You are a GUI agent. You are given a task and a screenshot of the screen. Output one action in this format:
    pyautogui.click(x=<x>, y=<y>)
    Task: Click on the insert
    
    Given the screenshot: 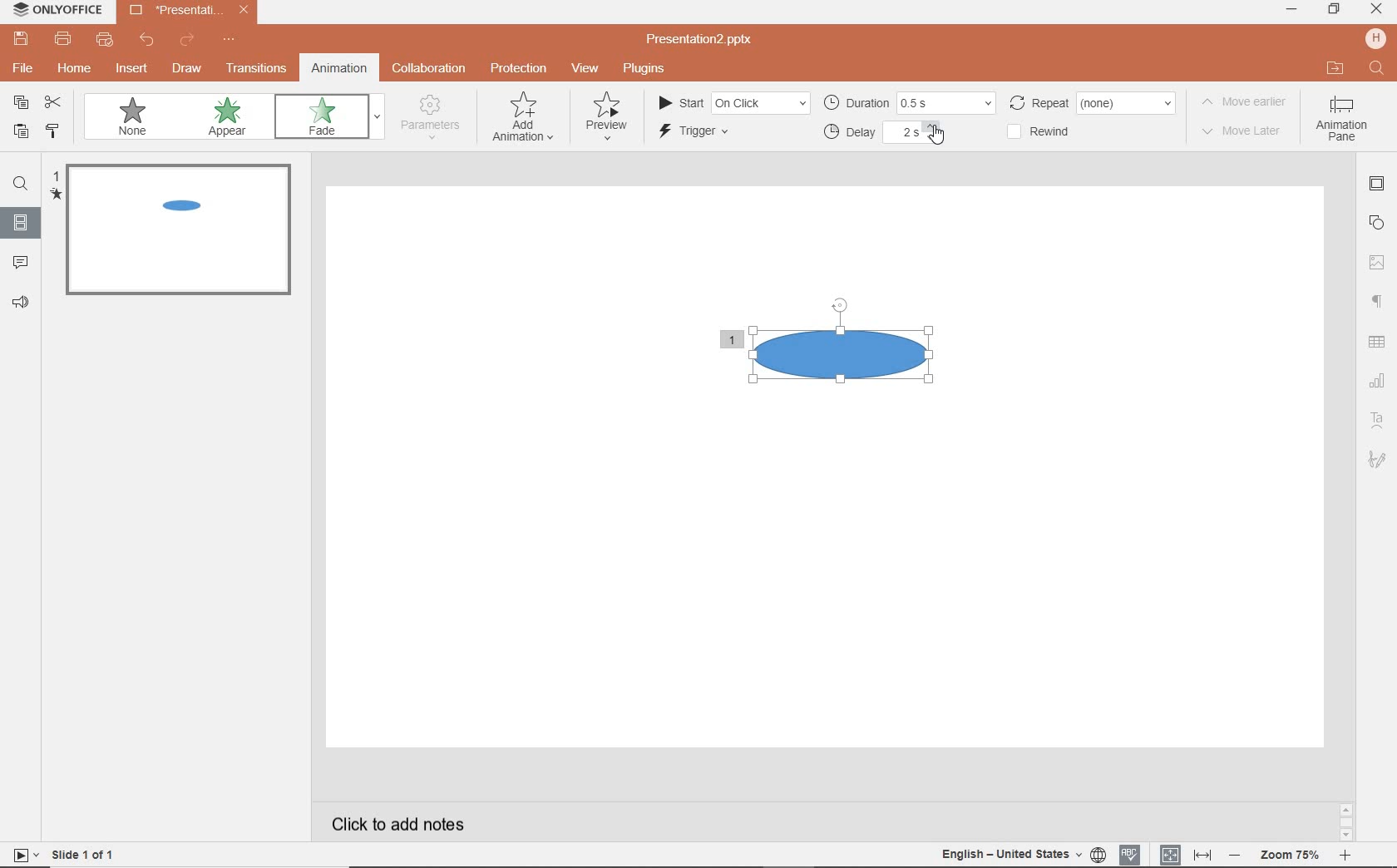 What is the action you would take?
    pyautogui.click(x=134, y=70)
    